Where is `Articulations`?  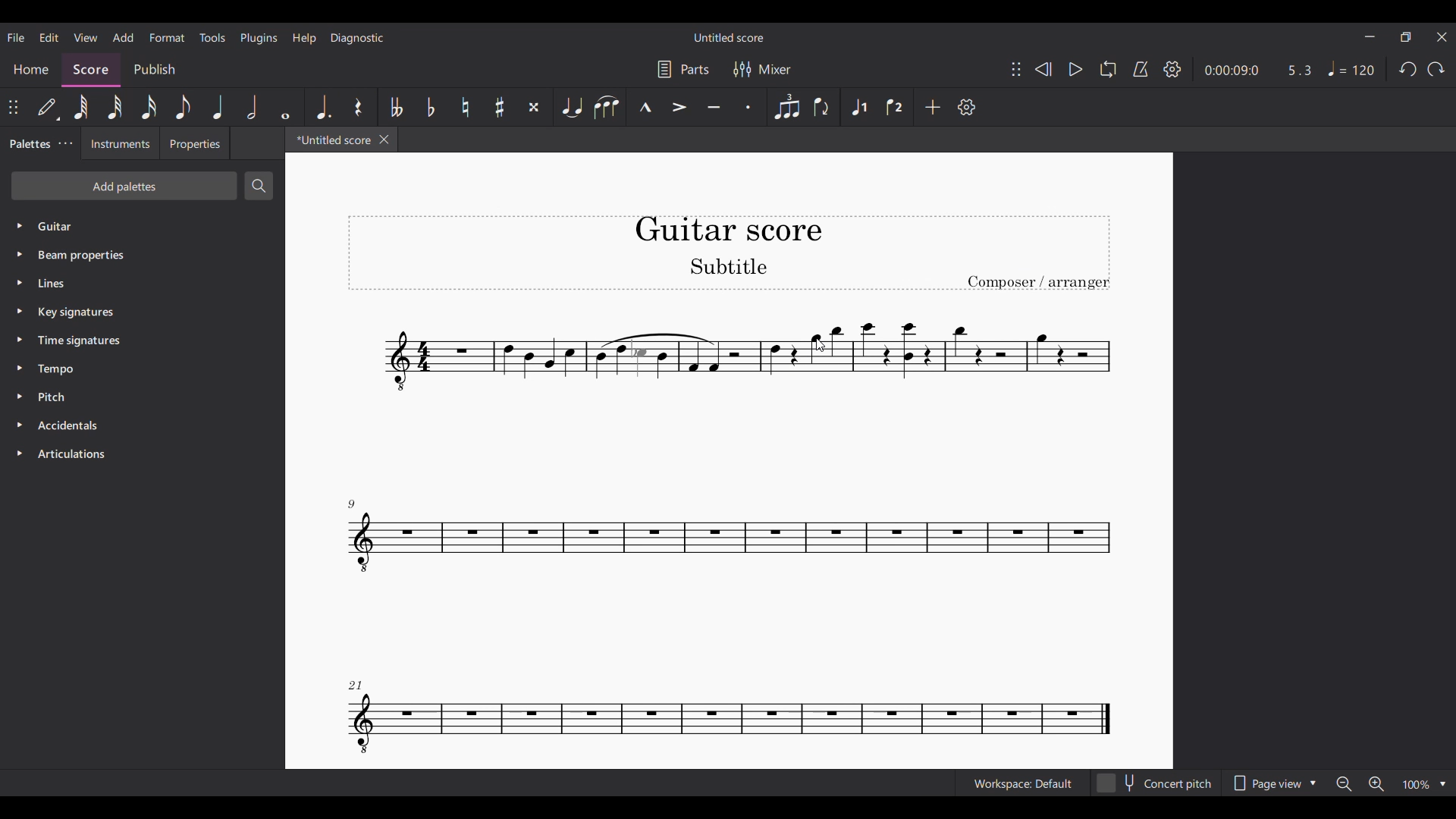 Articulations is located at coordinates (75, 454).